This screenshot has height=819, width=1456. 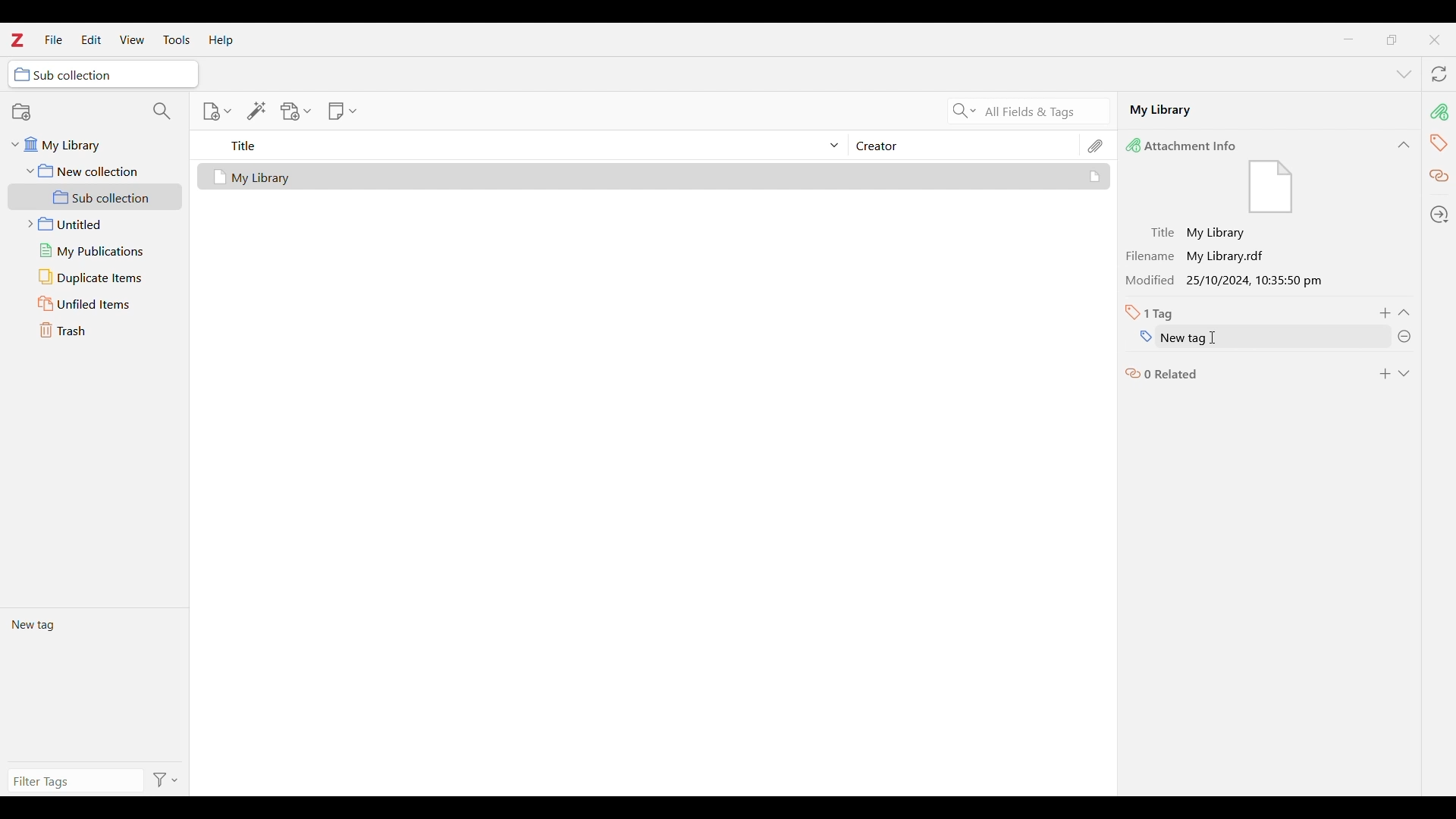 I want to click on Related, so click(x=1440, y=177).